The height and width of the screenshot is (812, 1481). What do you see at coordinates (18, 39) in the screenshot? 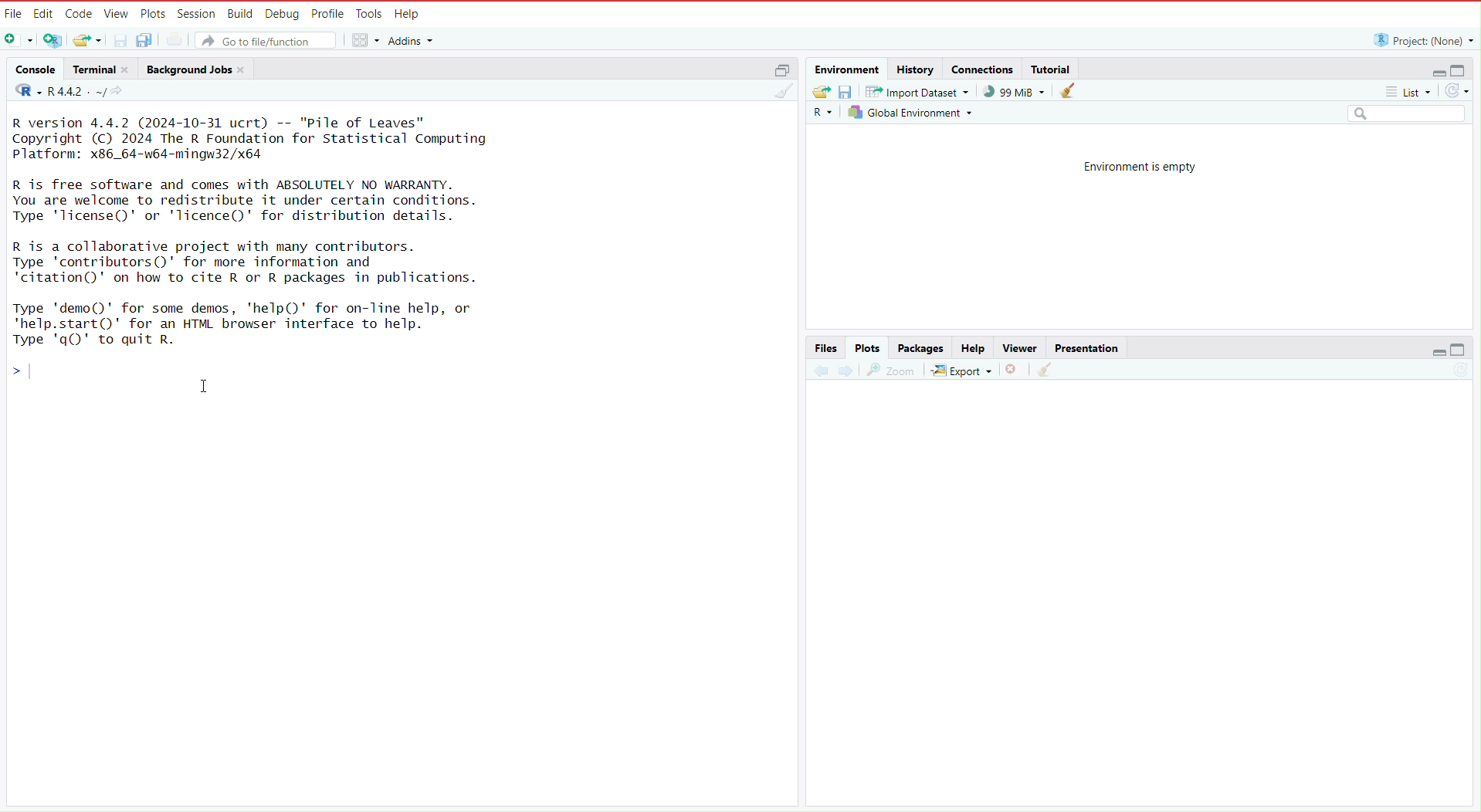
I see `new file` at bounding box center [18, 39].